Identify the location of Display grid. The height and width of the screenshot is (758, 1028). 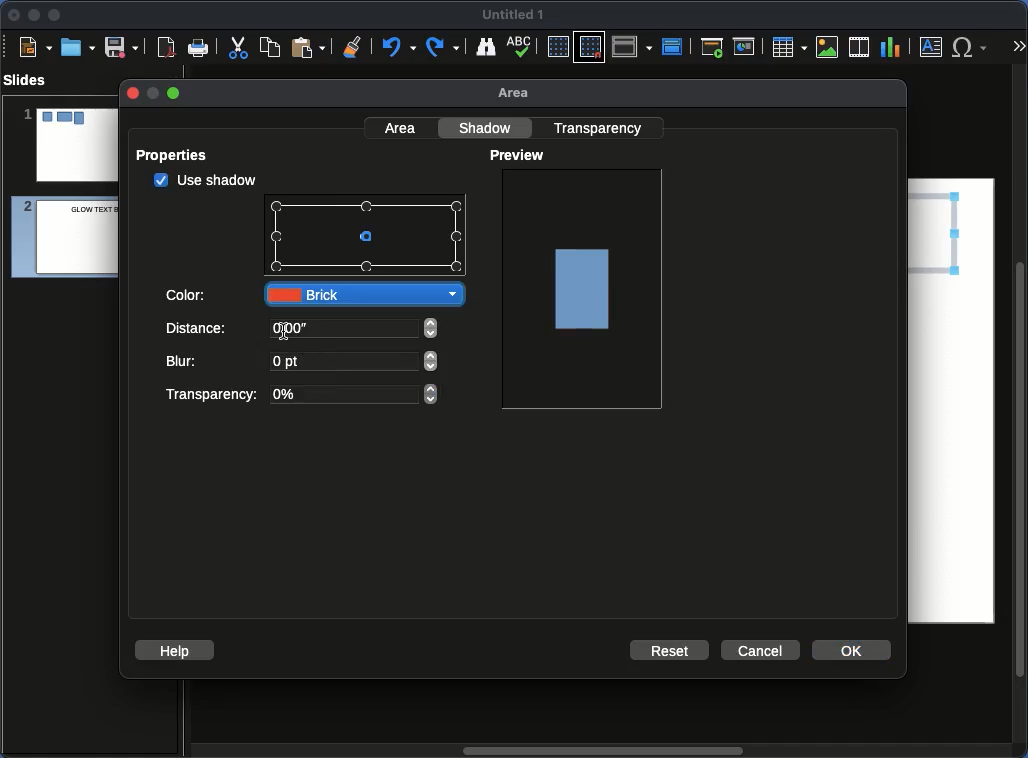
(557, 48).